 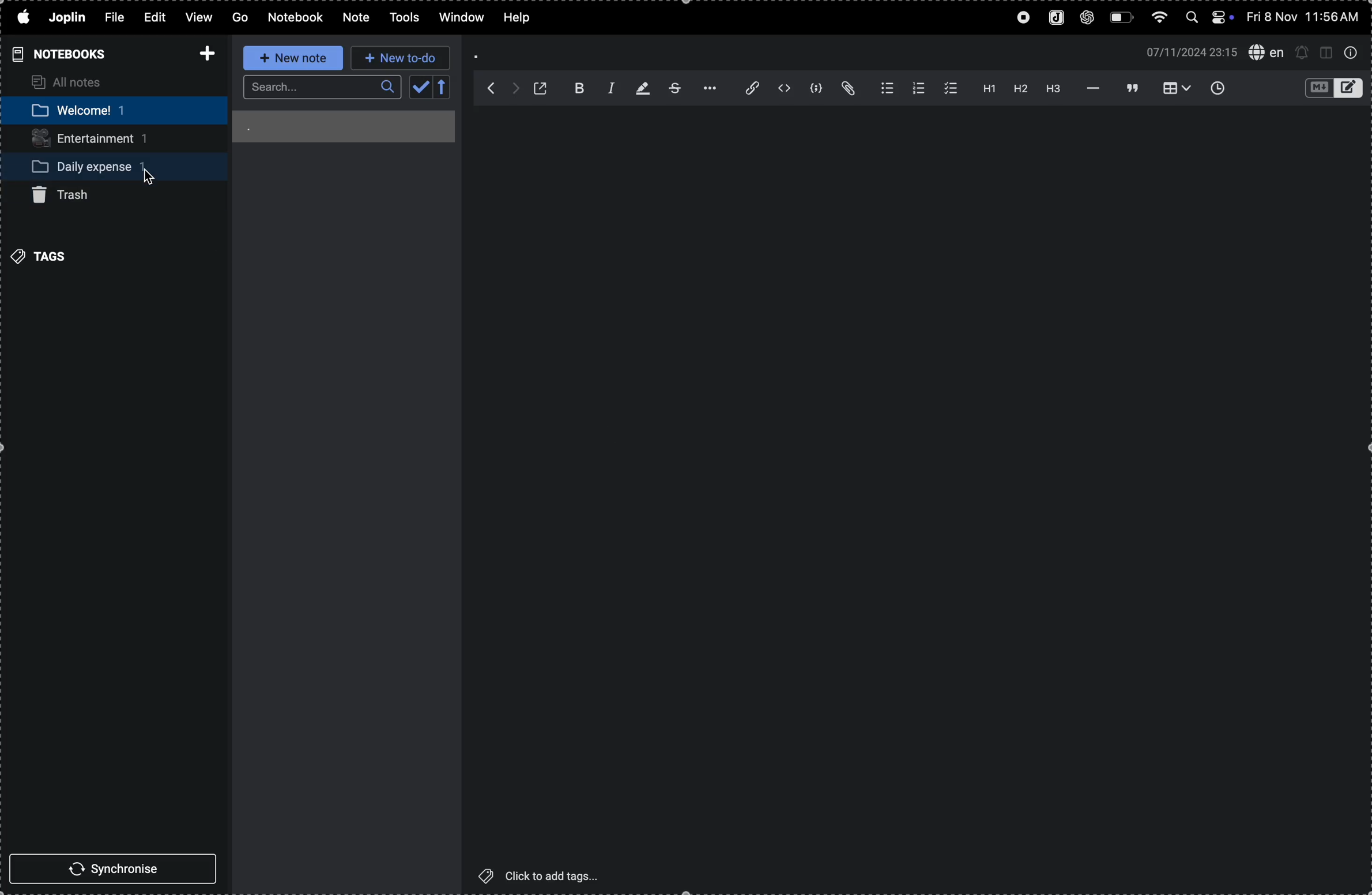 What do you see at coordinates (578, 87) in the screenshot?
I see `bold` at bounding box center [578, 87].